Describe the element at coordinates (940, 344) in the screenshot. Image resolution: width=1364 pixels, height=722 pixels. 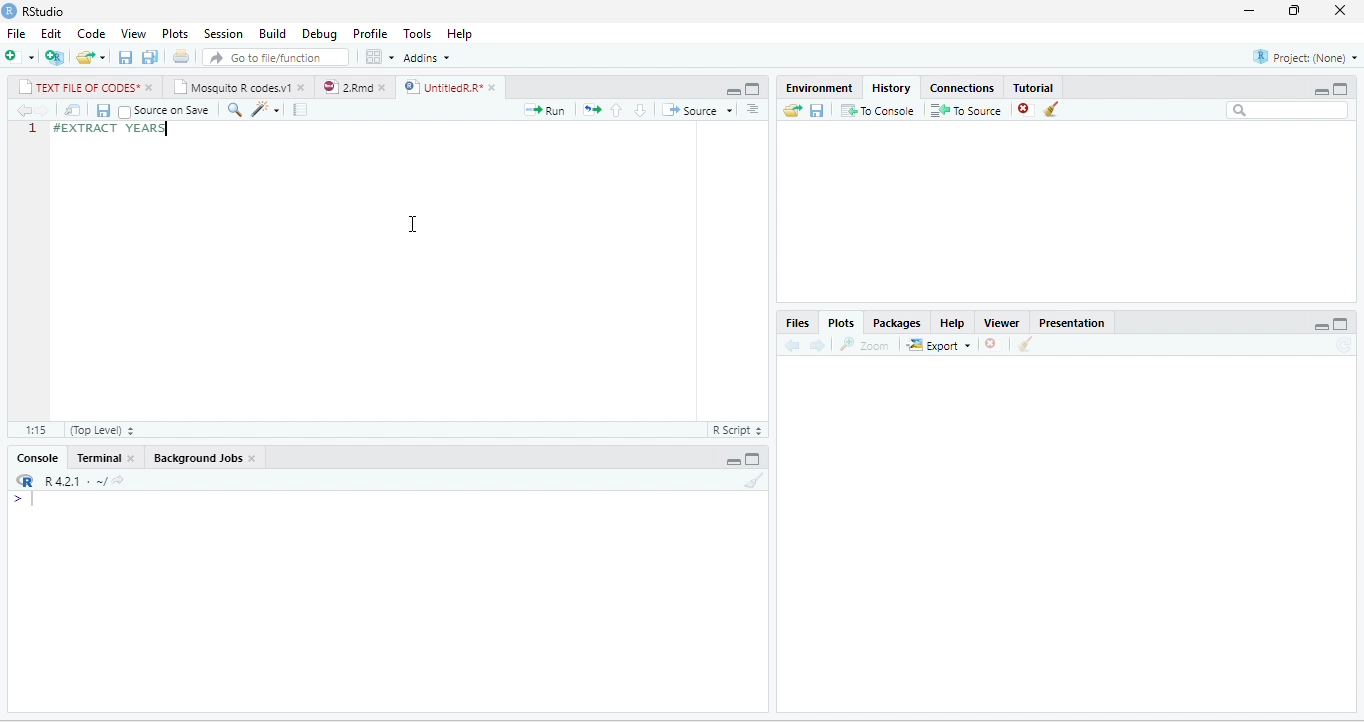
I see `Export` at that location.